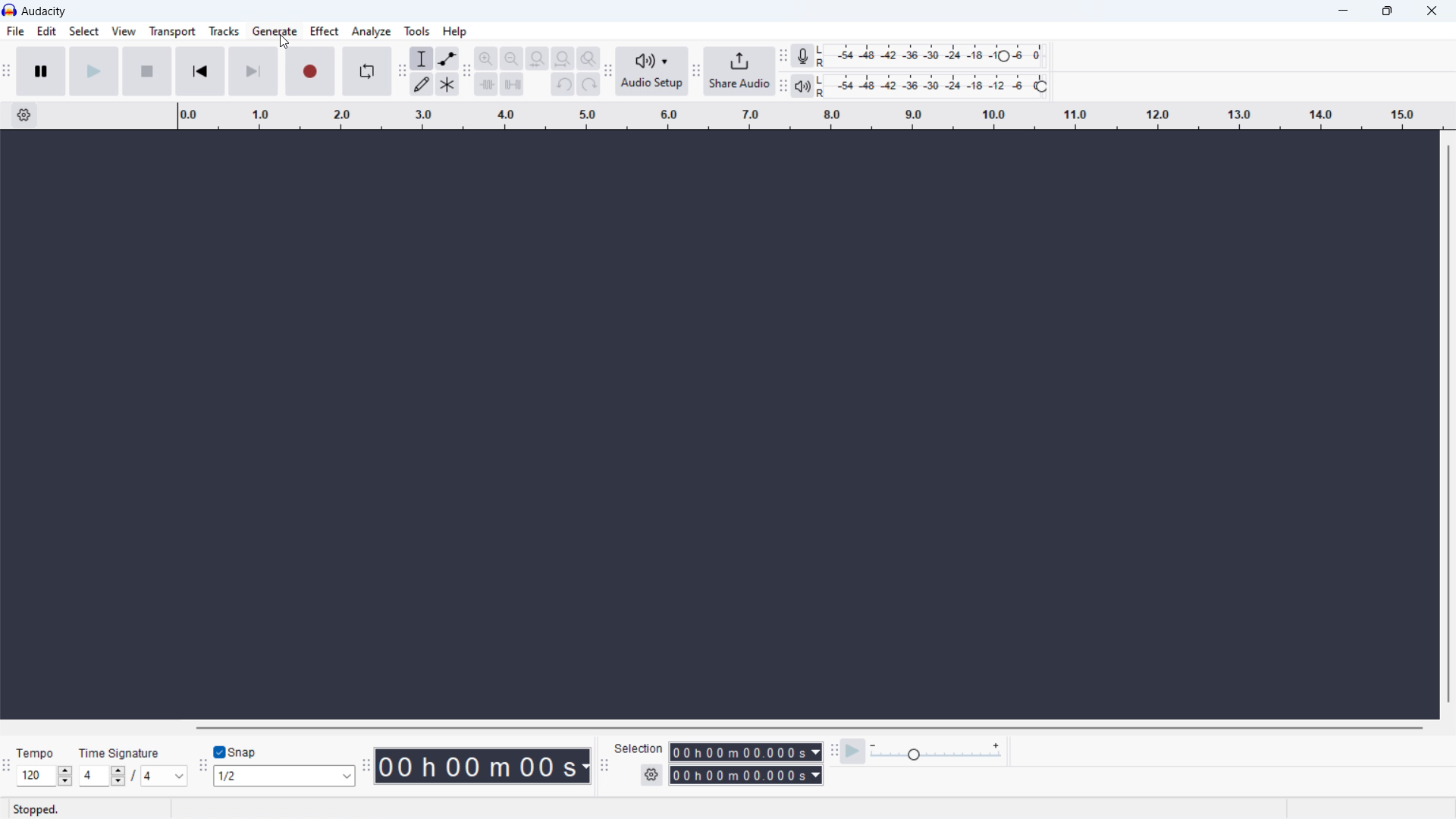 The width and height of the screenshot is (1456, 819). What do you see at coordinates (468, 71) in the screenshot?
I see `edit toolbar` at bounding box center [468, 71].